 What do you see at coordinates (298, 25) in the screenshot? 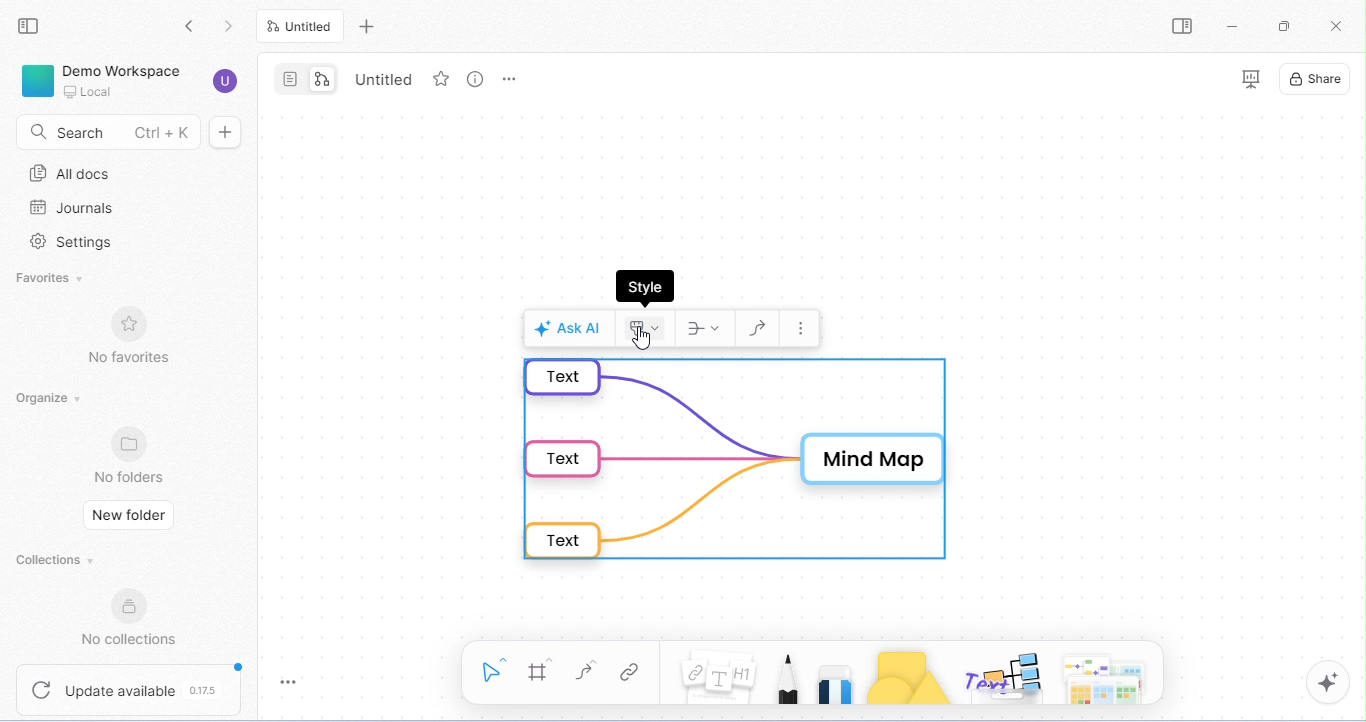
I see `current tab` at bounding box center [298, 25].